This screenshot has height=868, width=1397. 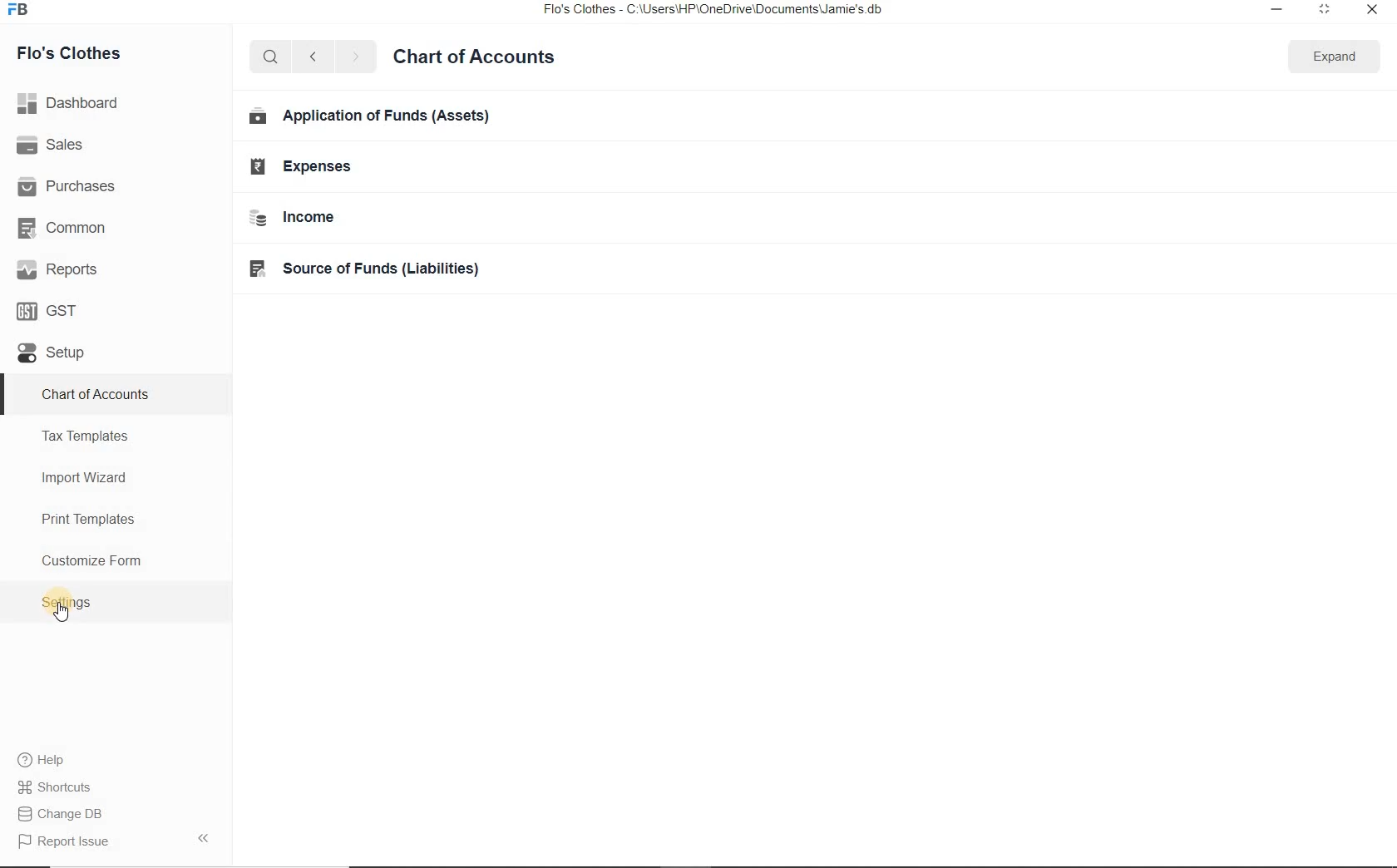 What do you see at coordinates (53, 146) in the screenshot?
I see `Sales` at bounding box center [53, 146].